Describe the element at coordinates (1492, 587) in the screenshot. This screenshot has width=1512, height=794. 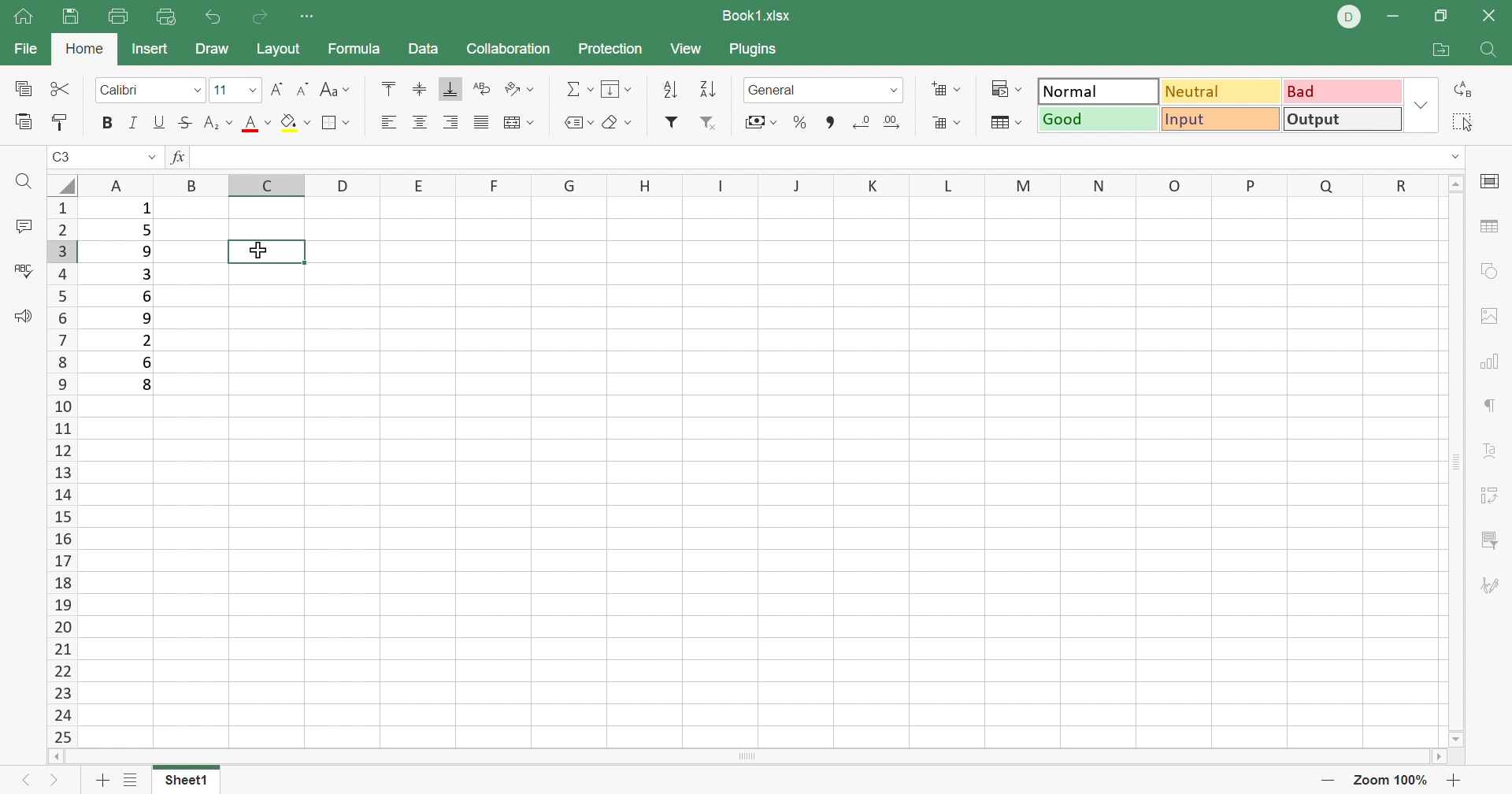
I see `Signature settings` at that location.